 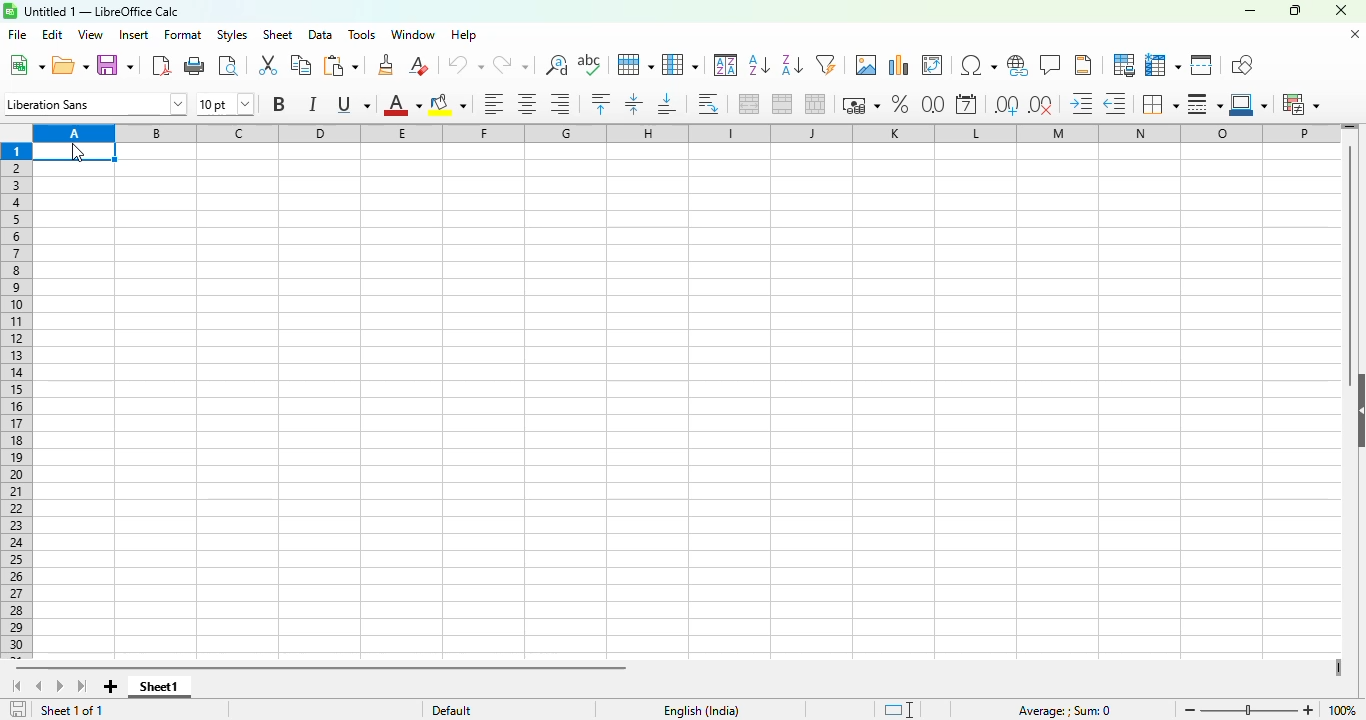 What do you see at coordinates (601, 103) in the screenshot?
I see `align top` at bounding box center [601, 103].